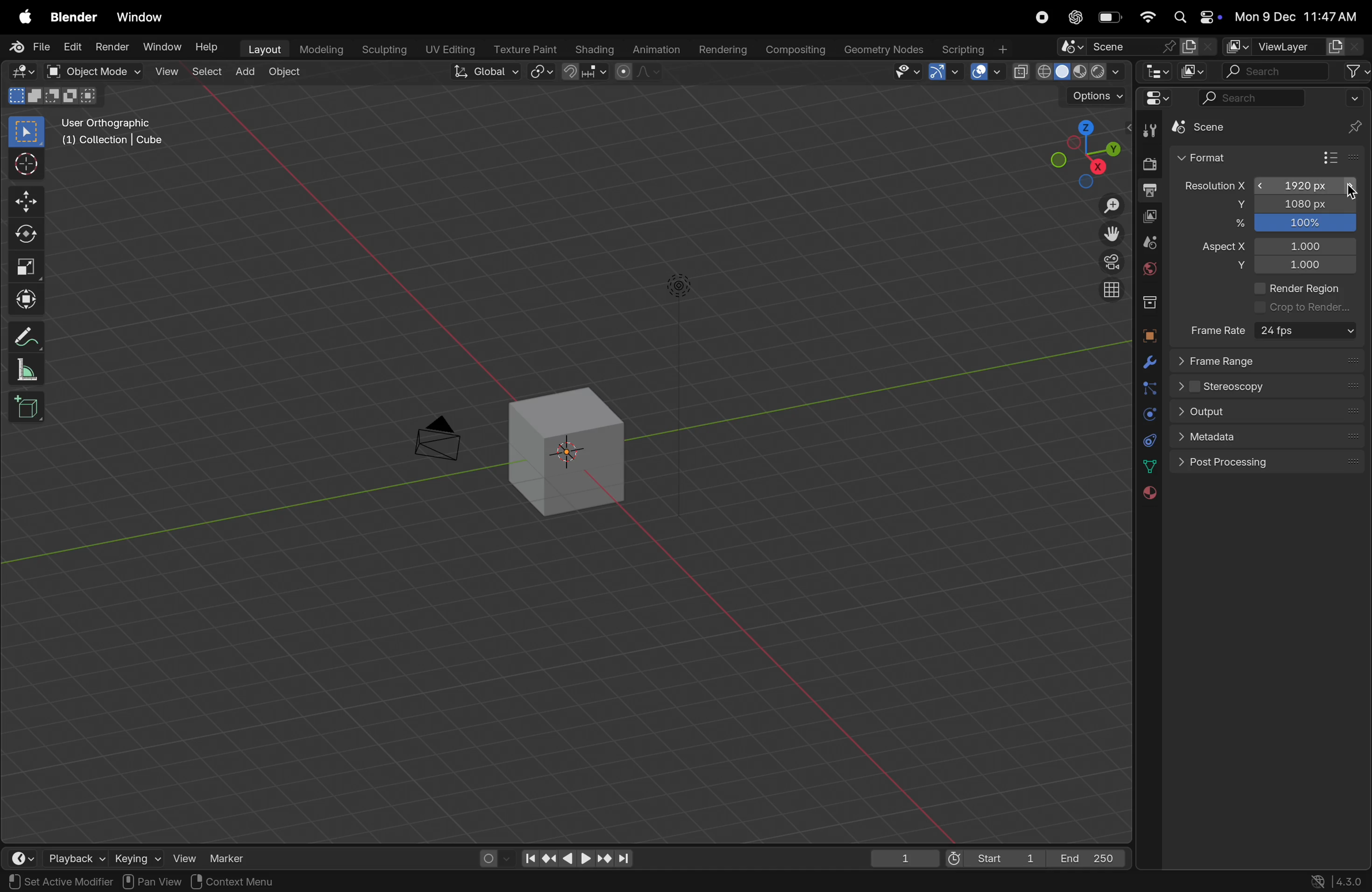 Image resolution: width=1372 pixels, height=892 pixels. I want to click on proportional editing objects, so click(636, 73).